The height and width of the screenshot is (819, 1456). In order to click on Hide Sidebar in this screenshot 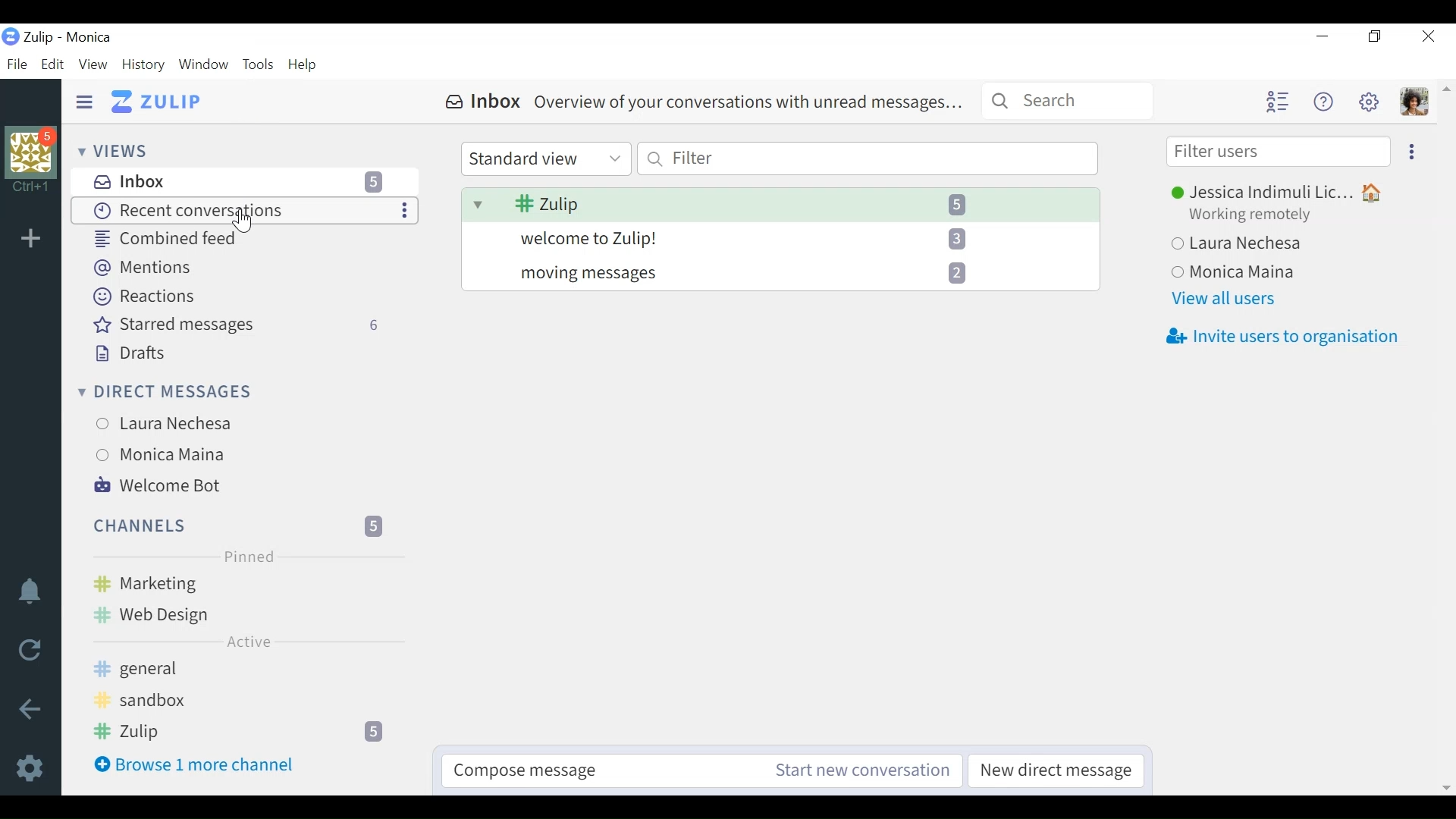, I will do `click(85, 101)`.